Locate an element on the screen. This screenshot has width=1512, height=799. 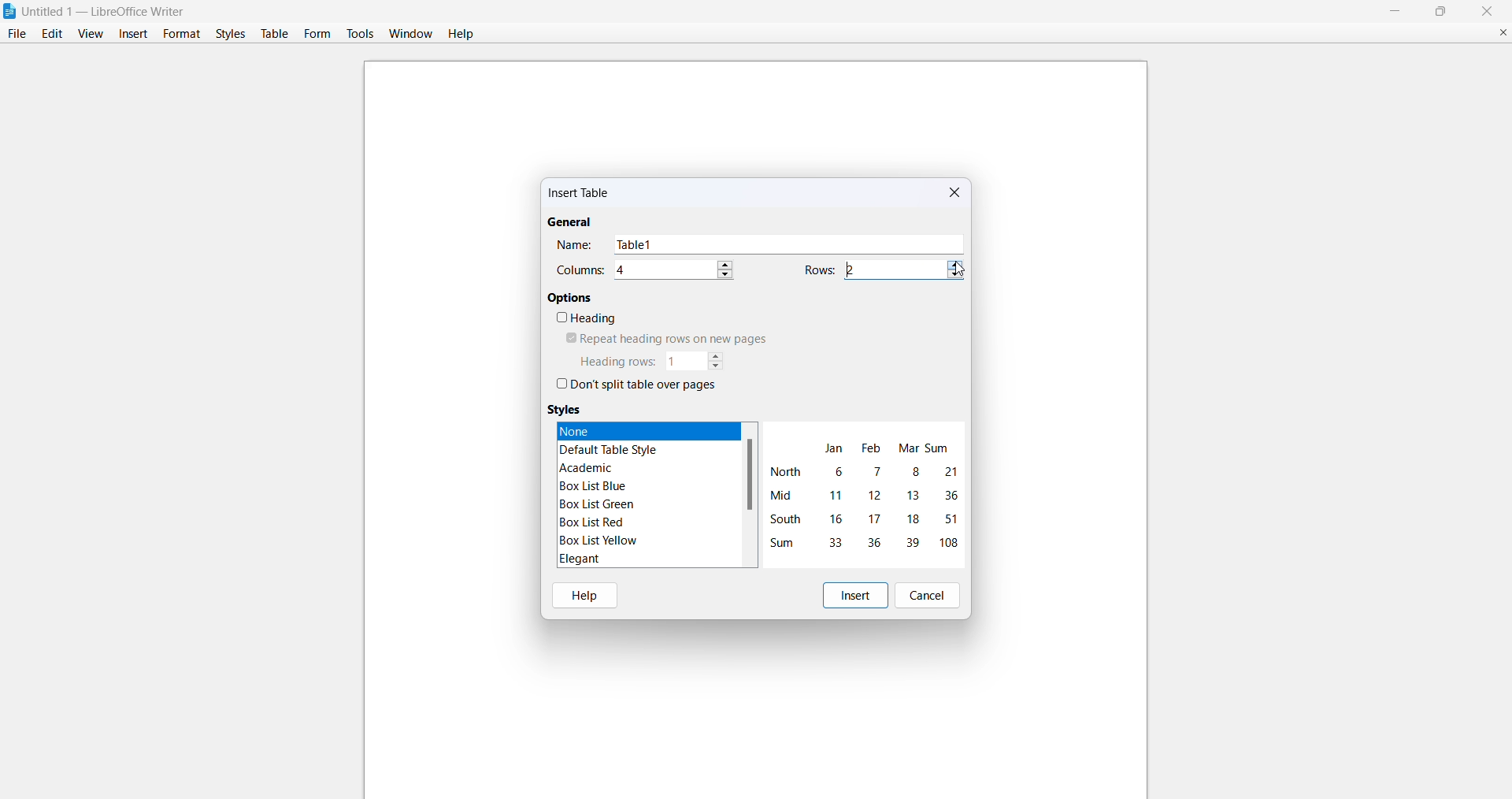
| Untitled 1 — LibreOffice Writer is located at coordinates (106, 10).